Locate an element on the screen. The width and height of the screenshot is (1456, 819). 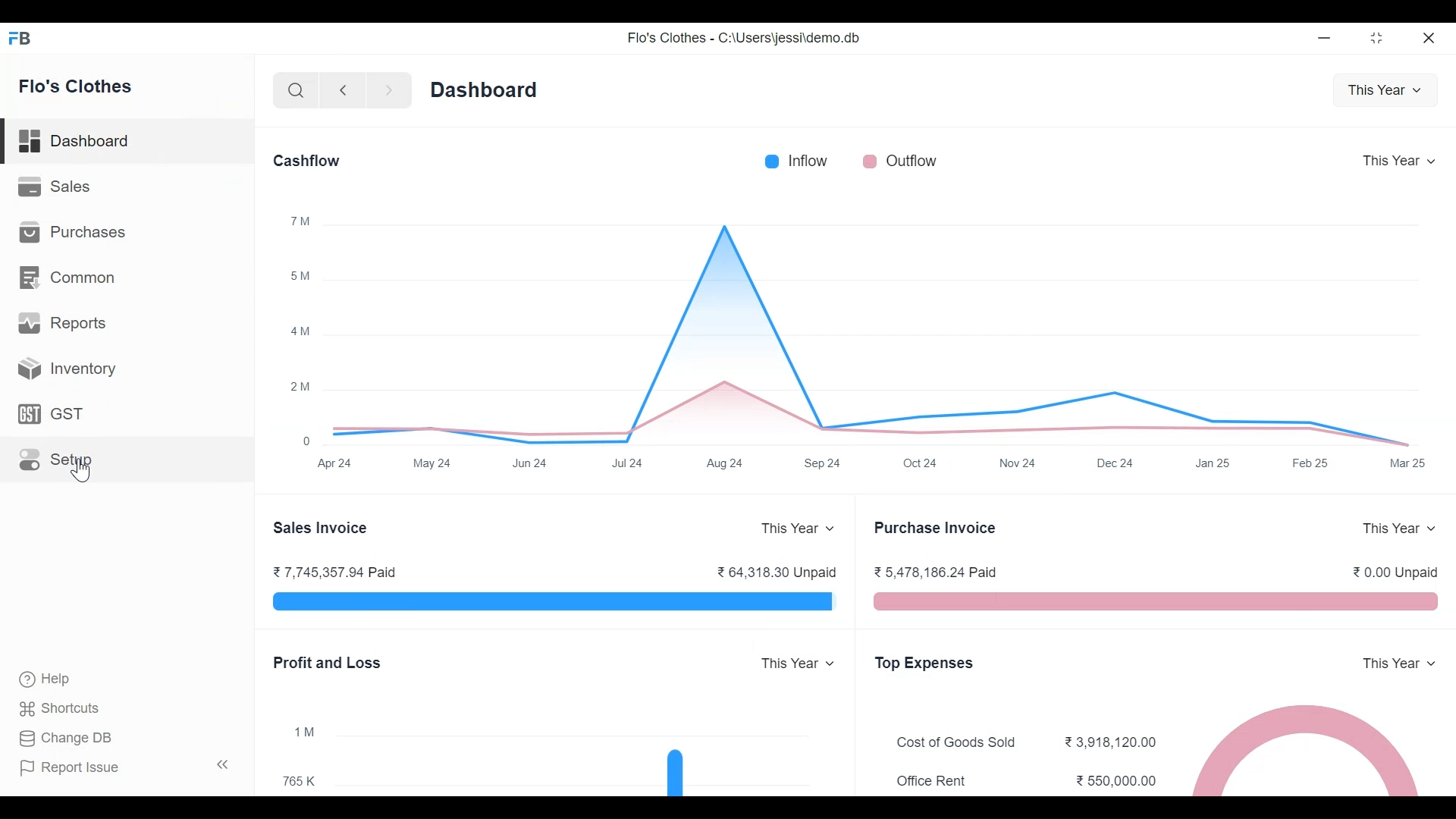
₹7,745,357.94 Paid is located at coordinates (337, 574).